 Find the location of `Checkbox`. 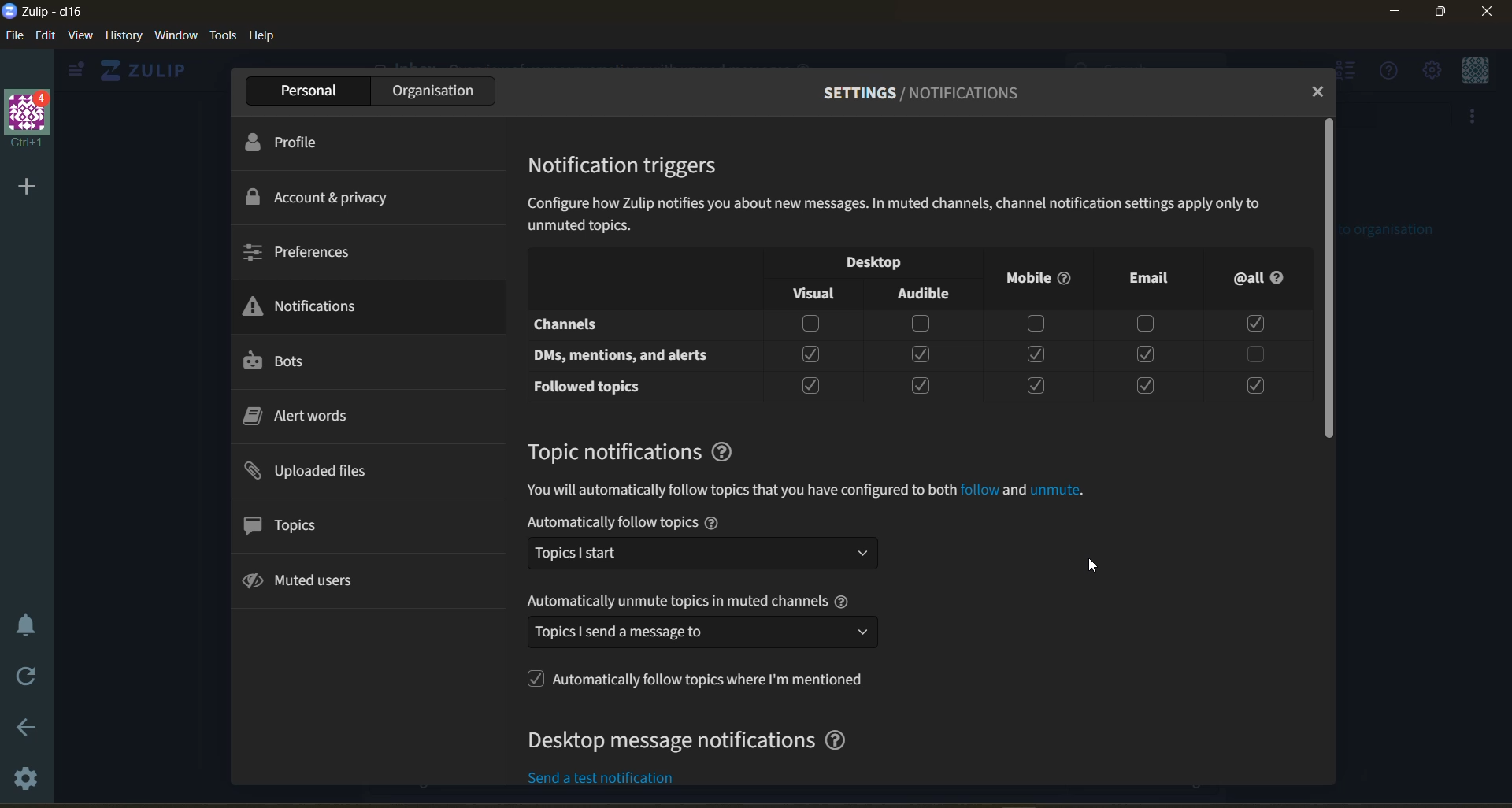

Checkbox is located at coordinates (921, 324).